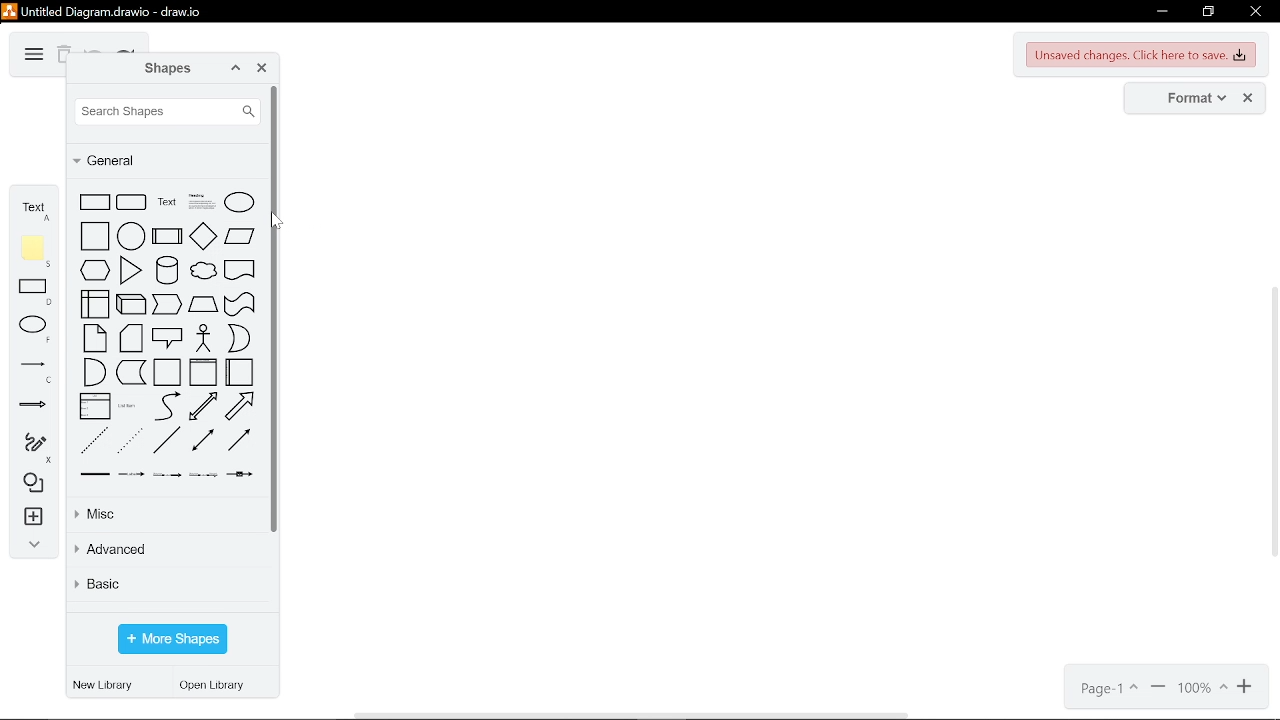  Describe the element at coordinates (95, 474) in the screenshot. I see `link` at that location.